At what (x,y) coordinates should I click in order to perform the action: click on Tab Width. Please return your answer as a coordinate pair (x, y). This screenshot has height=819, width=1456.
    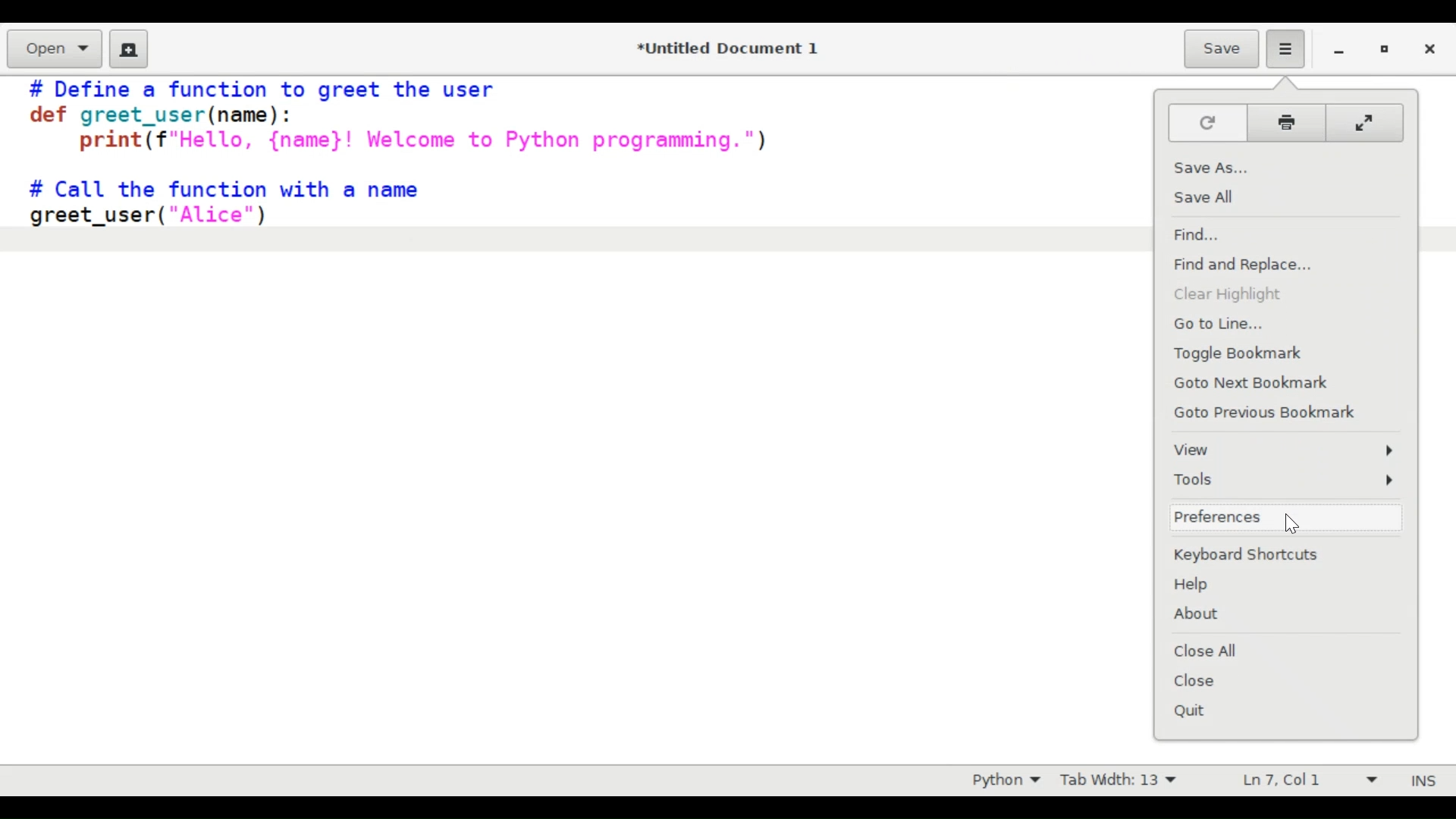
    Looking at the image, I should click on (1116, 780).